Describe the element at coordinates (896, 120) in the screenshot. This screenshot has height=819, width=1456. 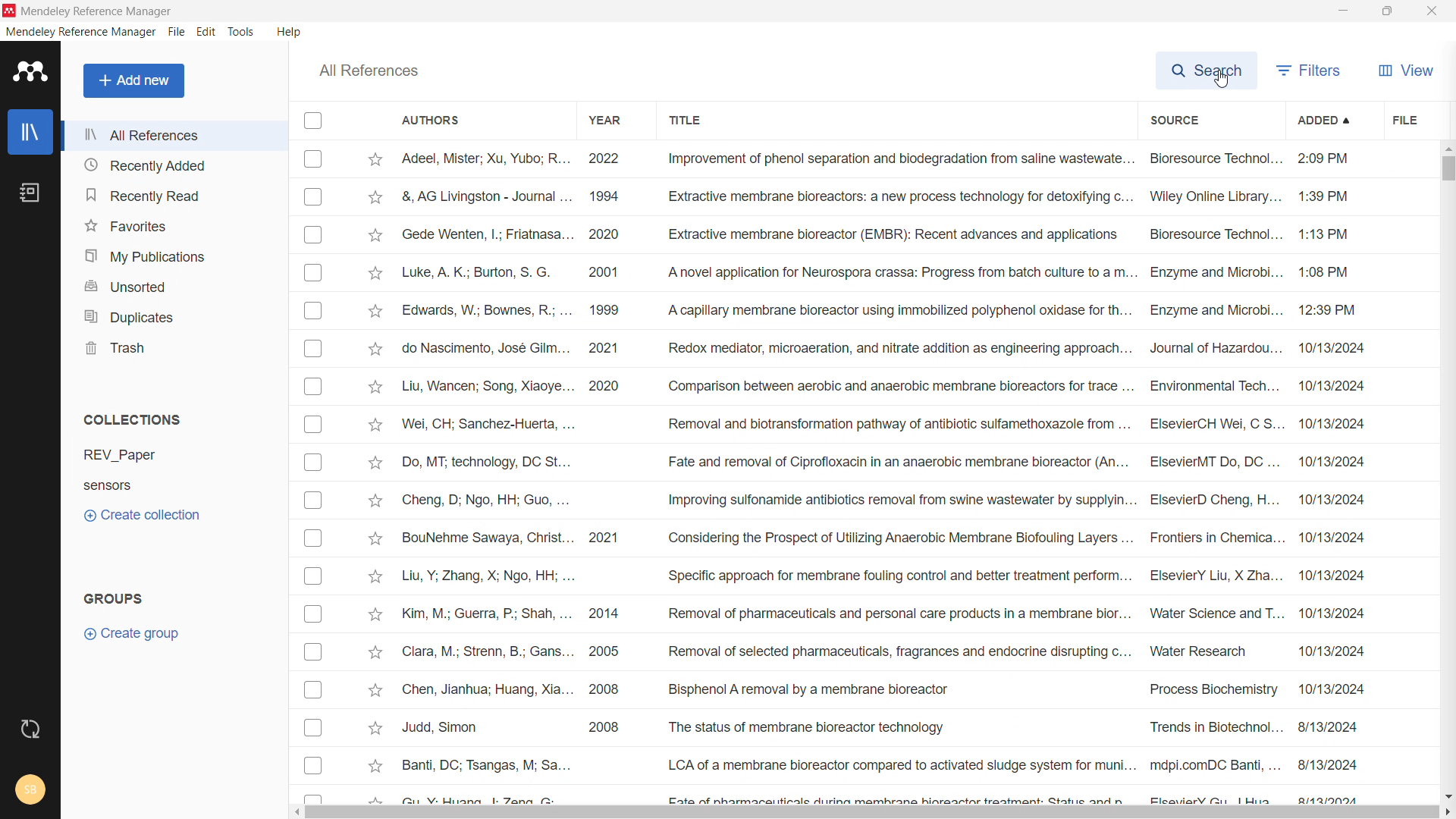
I see `title` at that location.